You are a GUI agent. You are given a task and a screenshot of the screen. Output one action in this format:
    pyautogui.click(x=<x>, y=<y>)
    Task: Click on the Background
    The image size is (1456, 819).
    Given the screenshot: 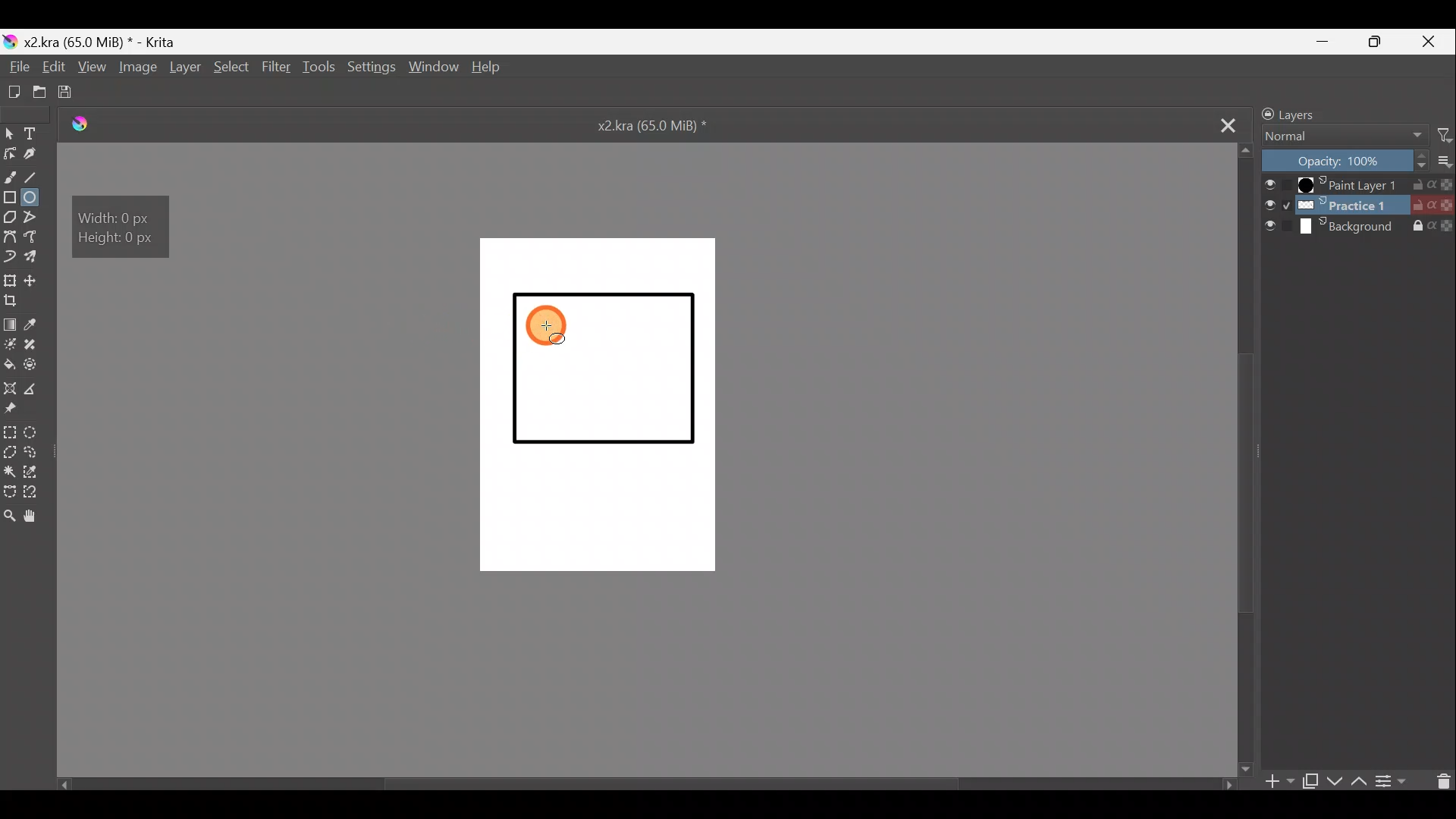 What is the action you would take?
    pyautogui.click(x=1361, y=231)
    